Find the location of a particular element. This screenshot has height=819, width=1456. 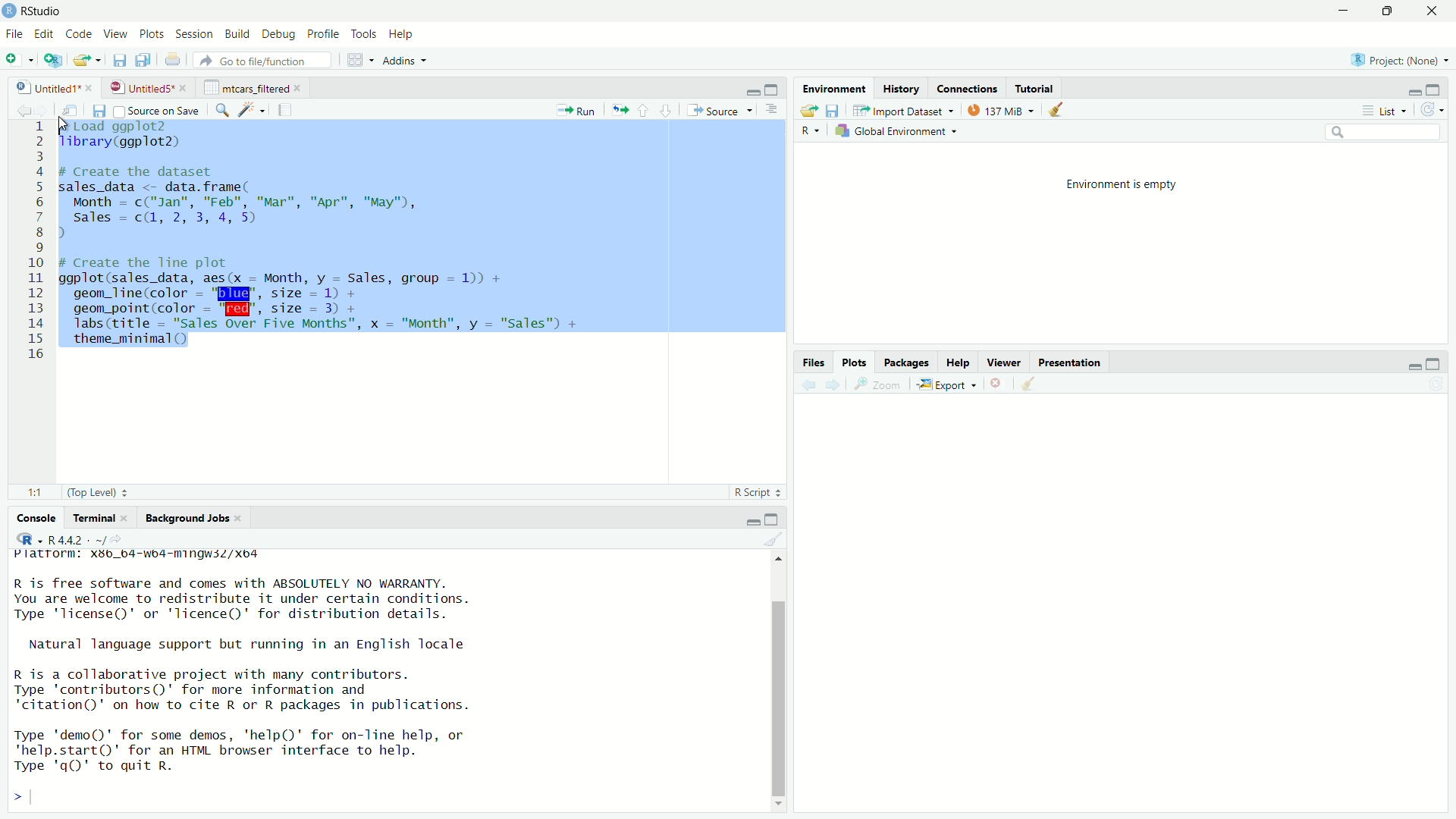

re-run the previous section is located at coordinates (620, 110).